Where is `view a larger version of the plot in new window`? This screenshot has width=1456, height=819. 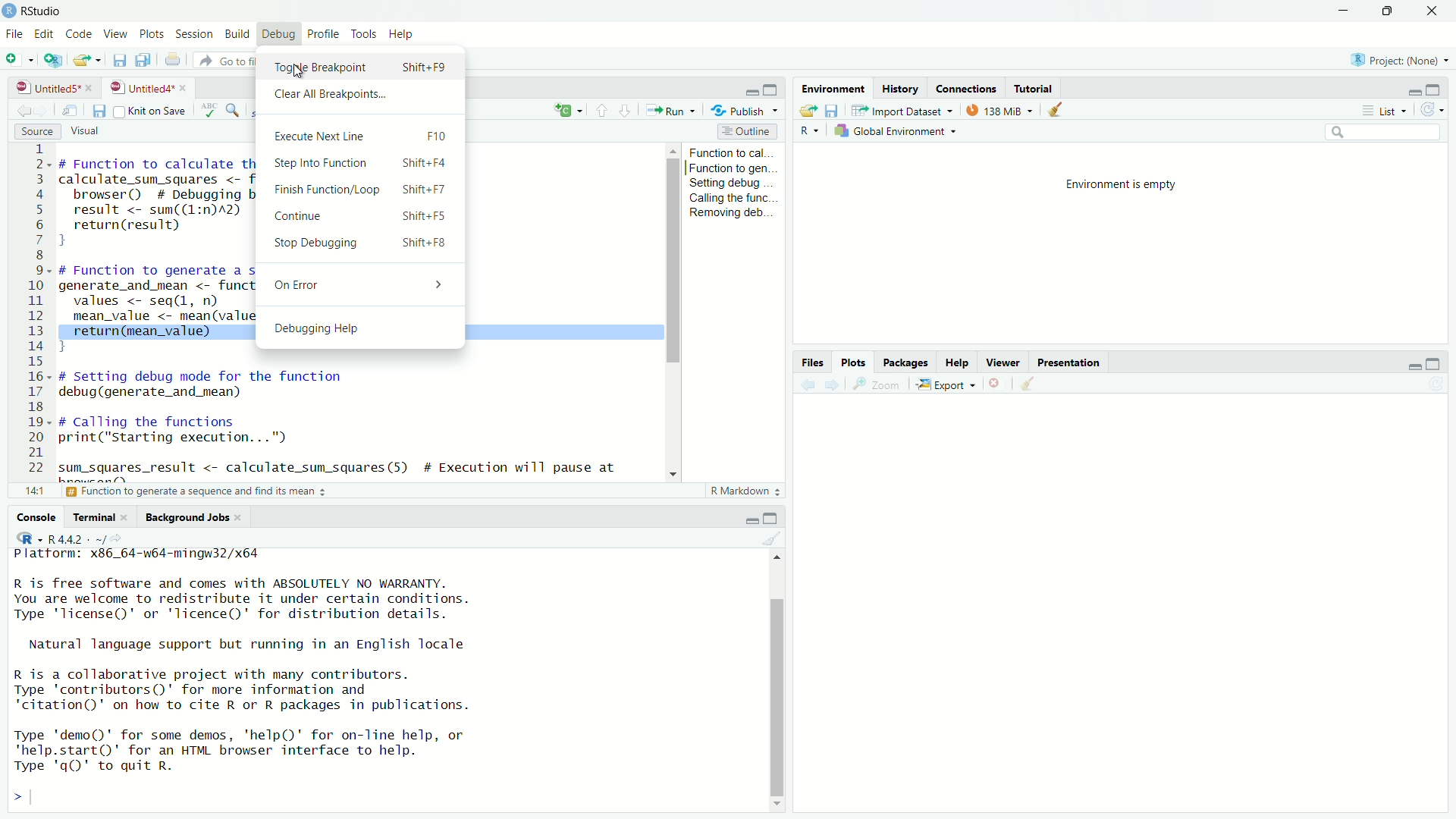
view a larger version of the plot in new window is located at coordinates (881, 384).